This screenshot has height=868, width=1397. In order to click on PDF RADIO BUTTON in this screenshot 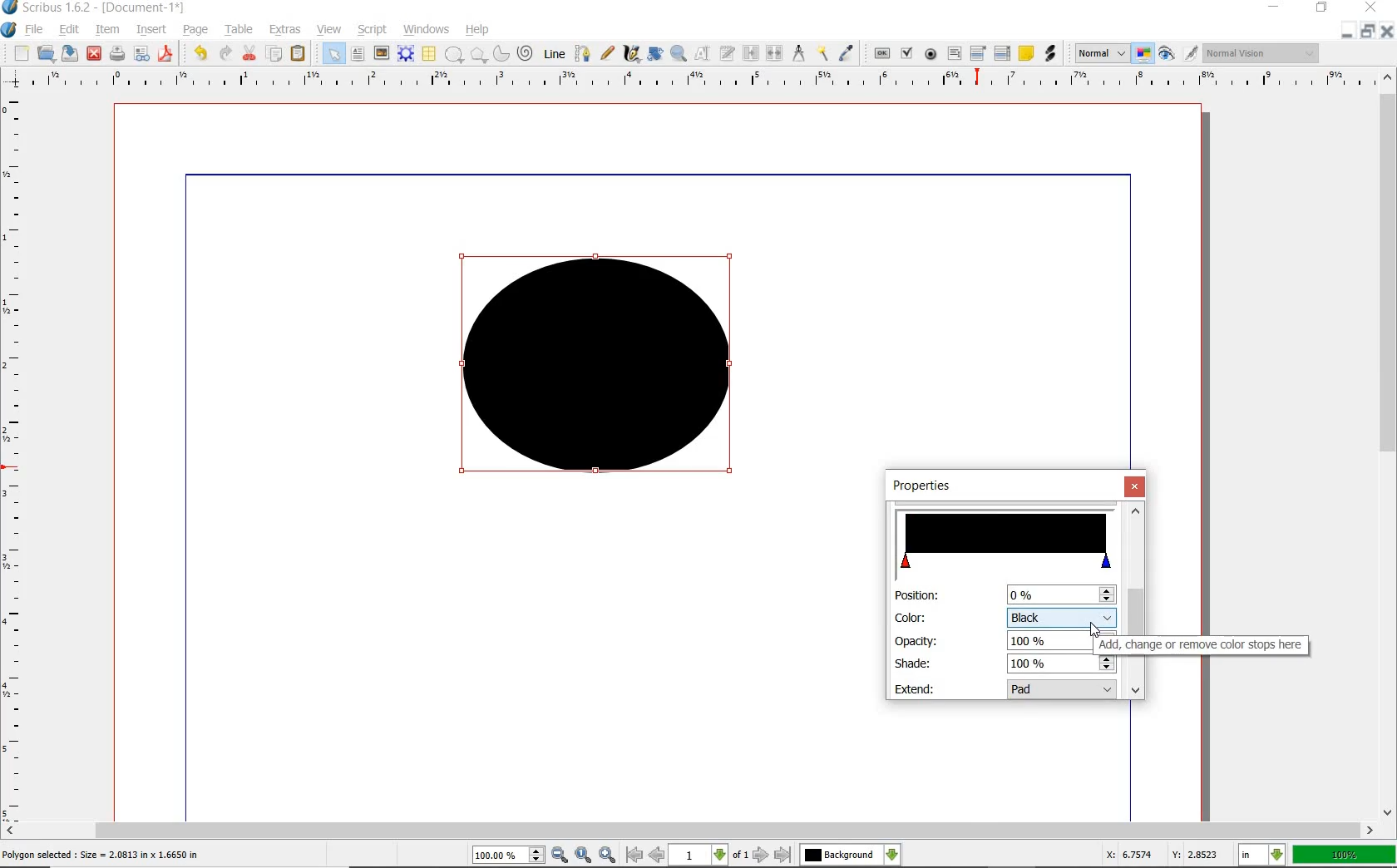, I will do `click(931, 53)`.